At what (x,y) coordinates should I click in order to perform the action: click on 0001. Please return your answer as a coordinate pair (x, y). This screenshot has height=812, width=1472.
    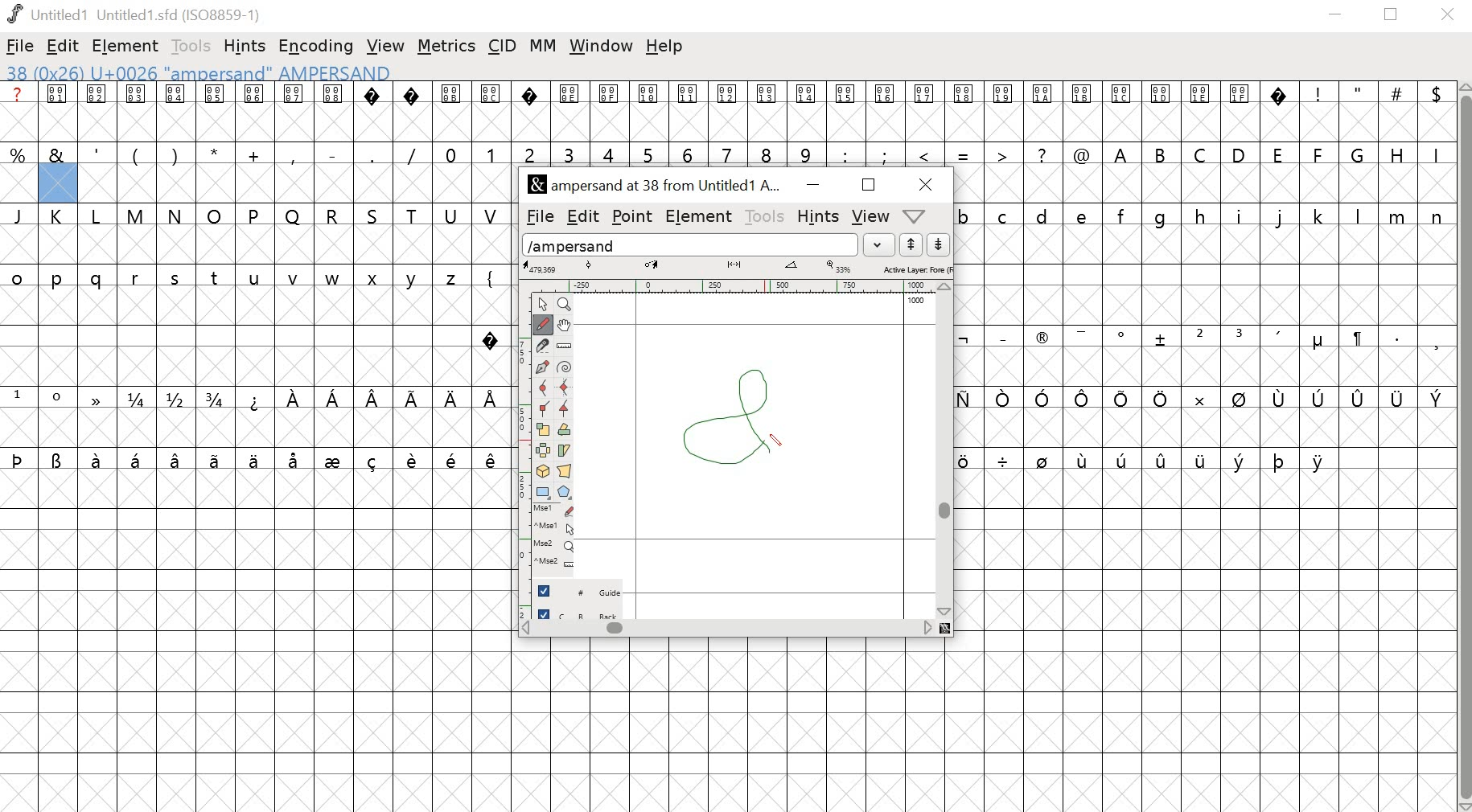
    Looking at the image, I should click on (60, 112).